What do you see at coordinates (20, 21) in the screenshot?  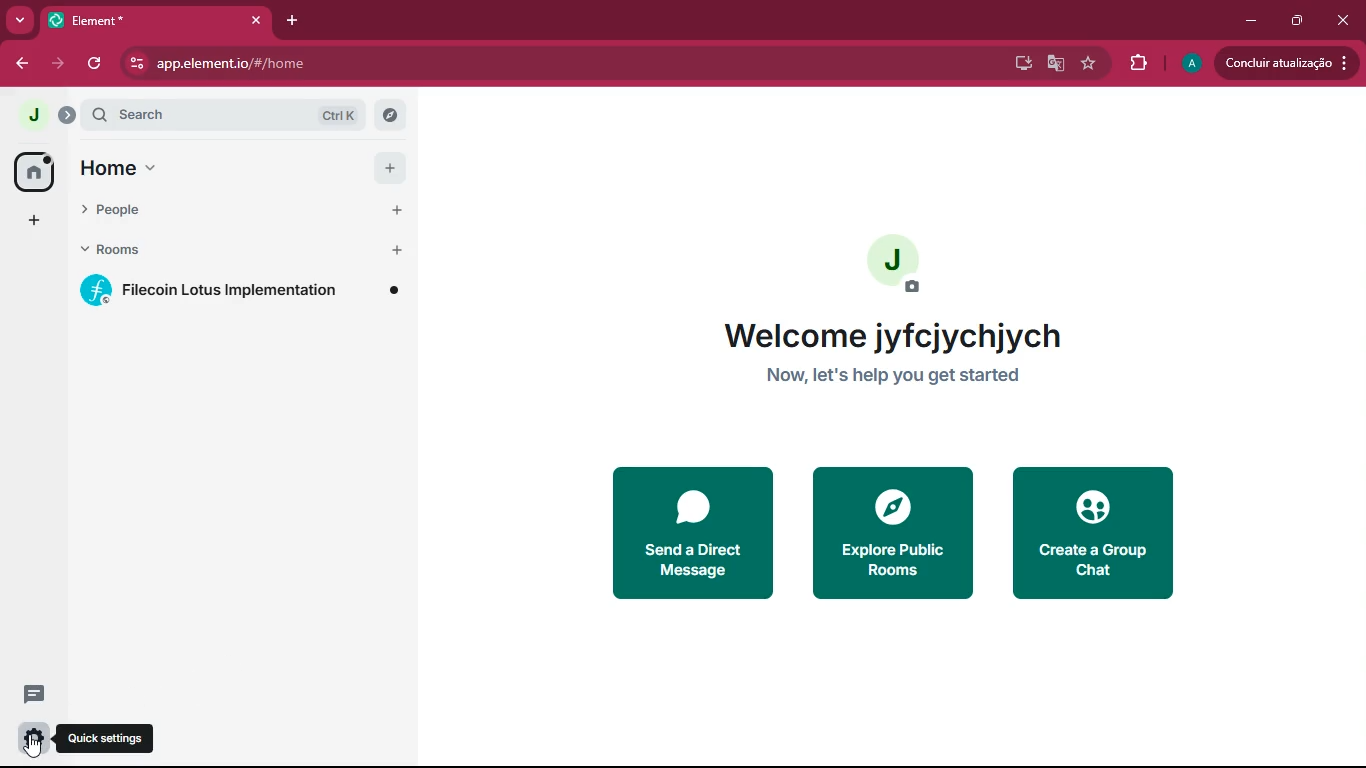 I see `more` at bounding box center [20, 21].